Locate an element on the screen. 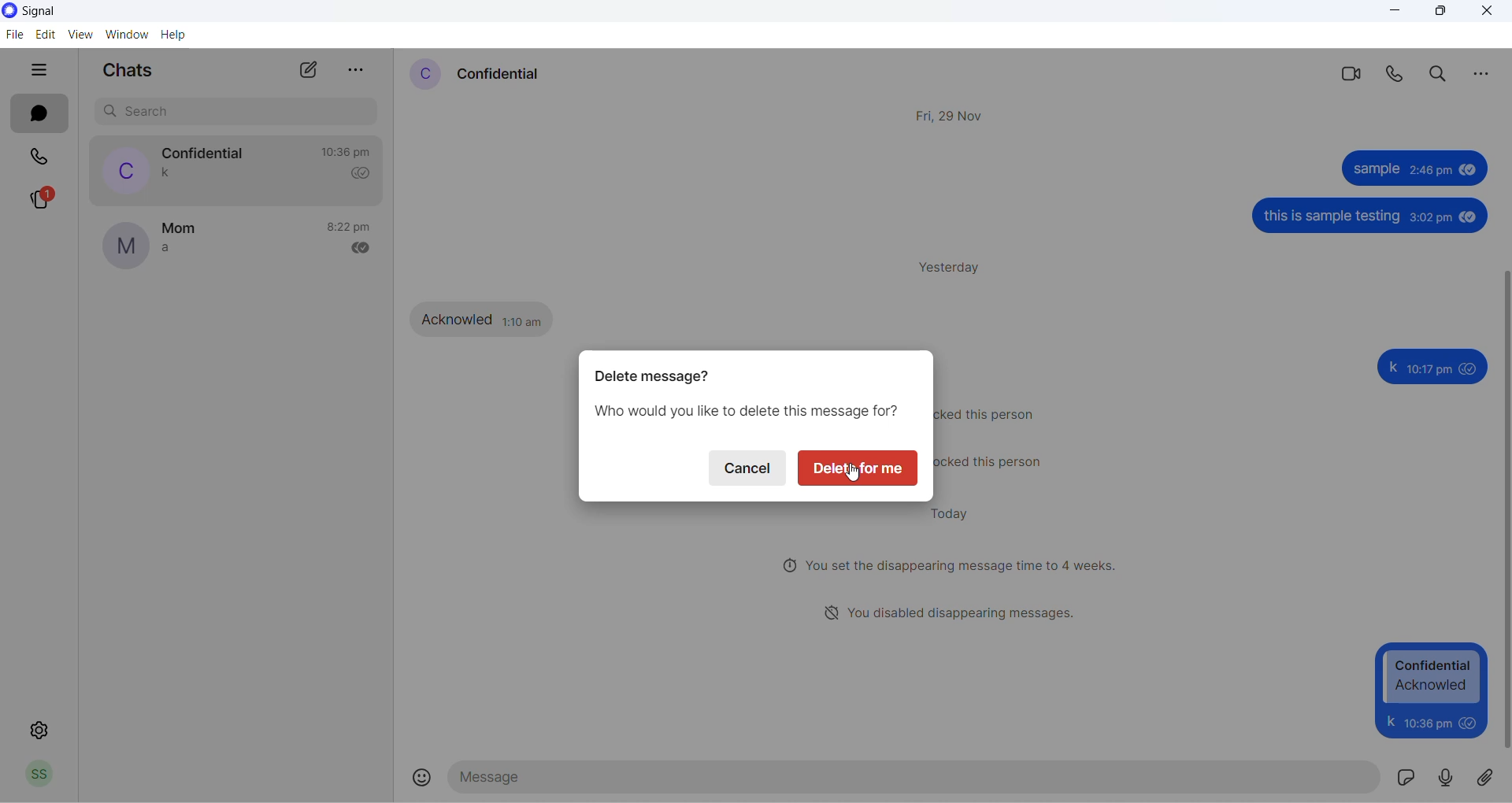  edit is located at coordinates (46, 35).